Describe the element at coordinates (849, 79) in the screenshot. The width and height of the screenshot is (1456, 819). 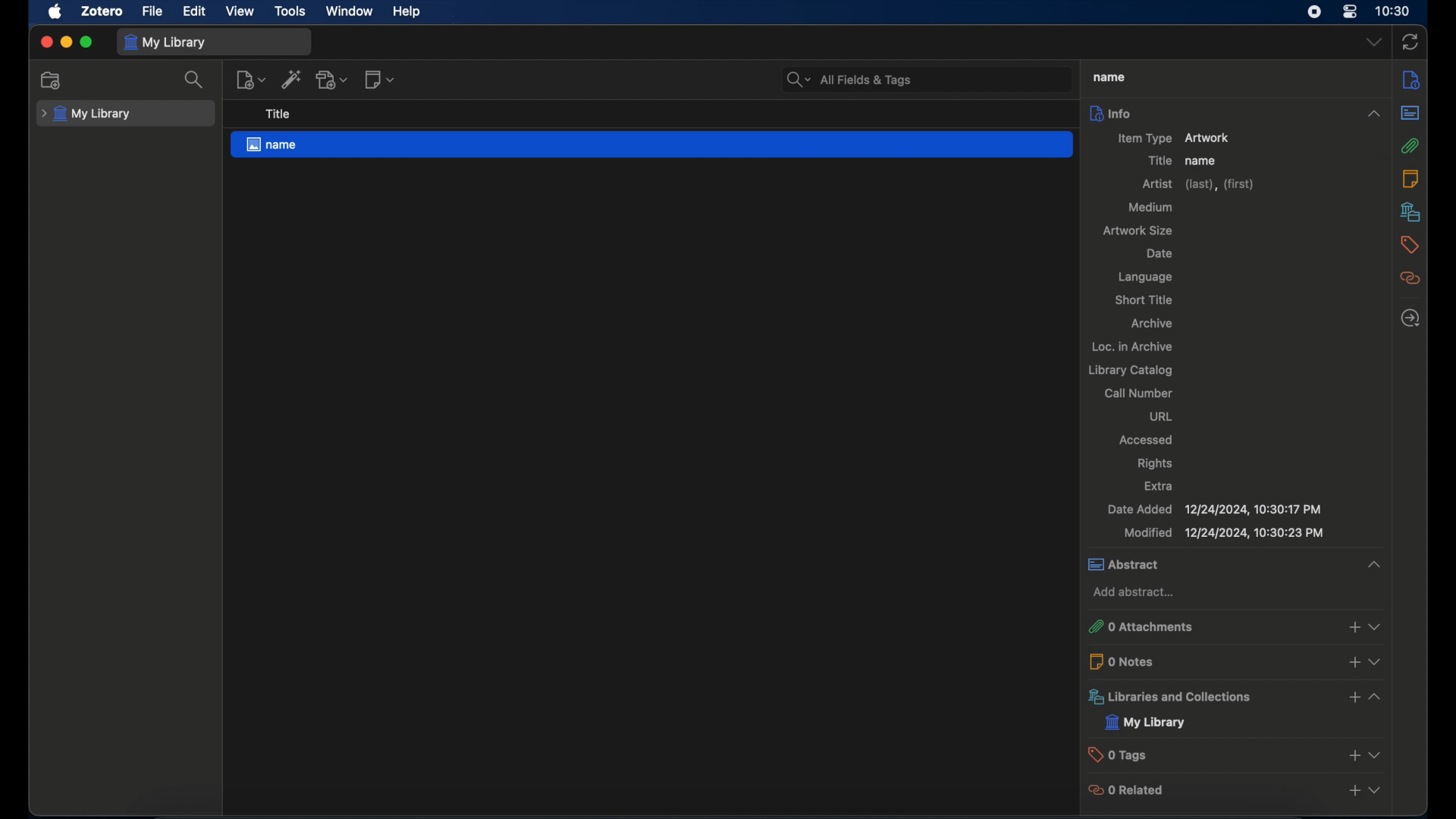
I see `all fields & tags` at that location.